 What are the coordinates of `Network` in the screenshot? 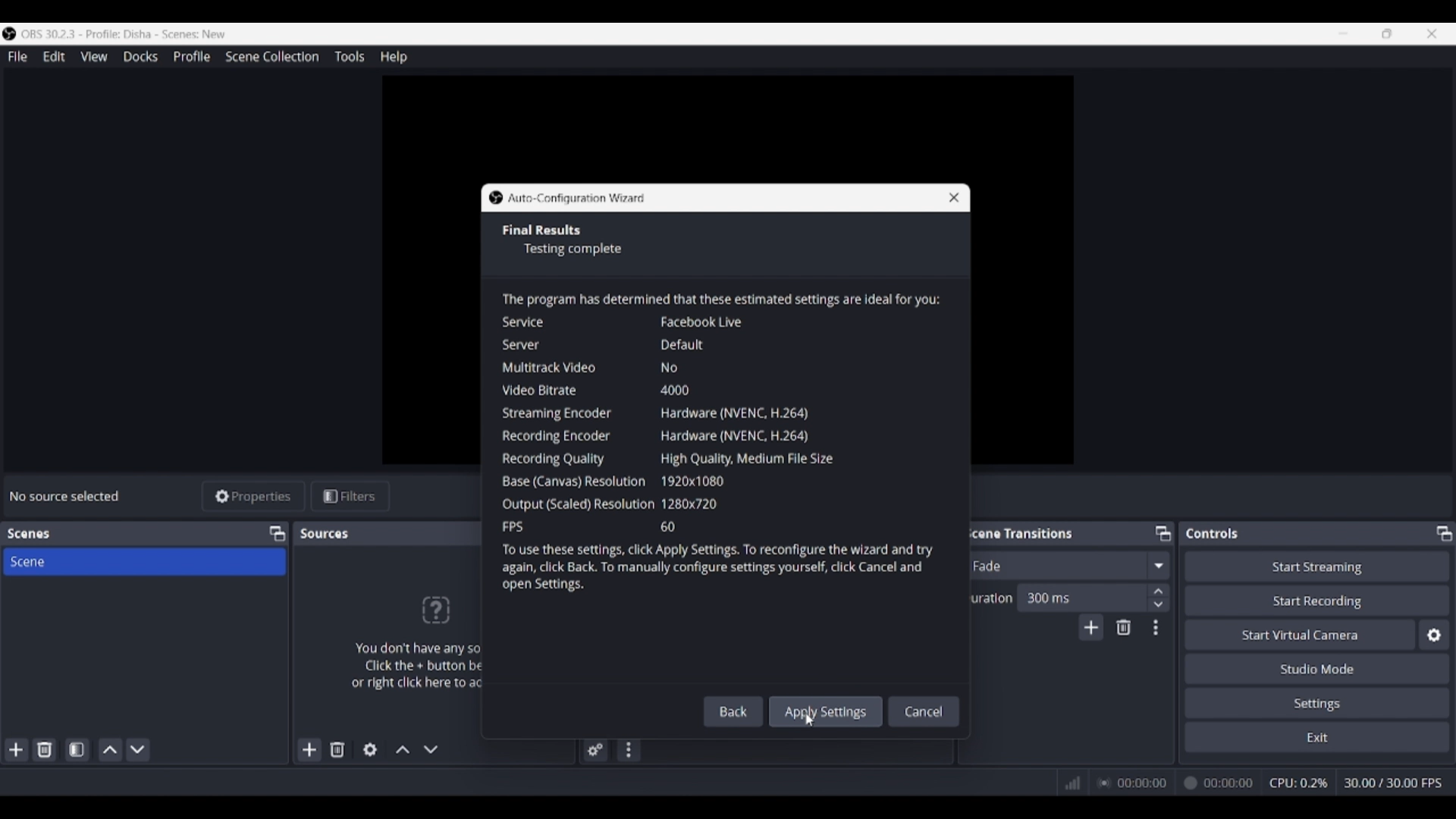 It's located at (1068, 783).